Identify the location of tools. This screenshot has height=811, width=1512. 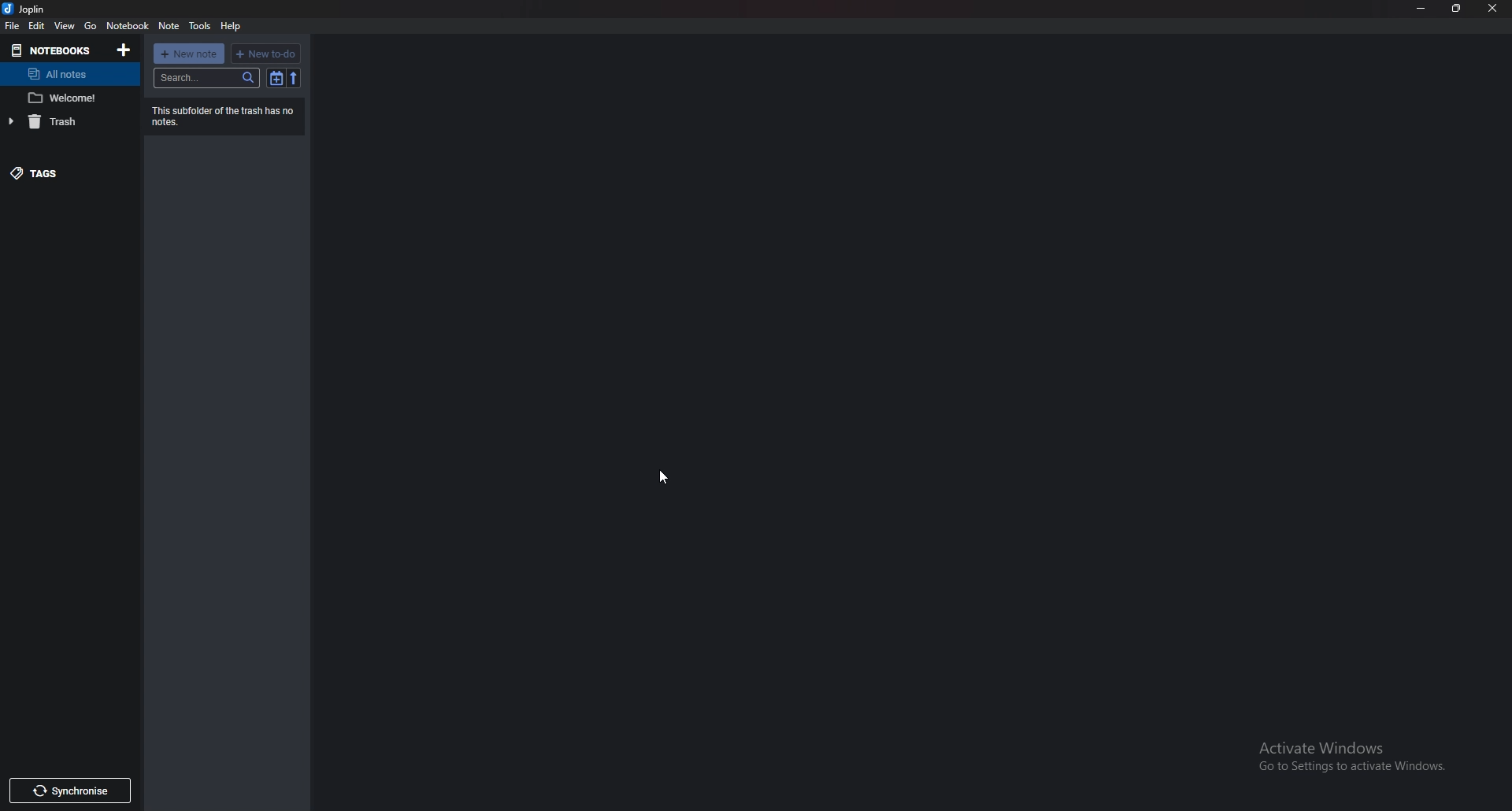
(200, 26).